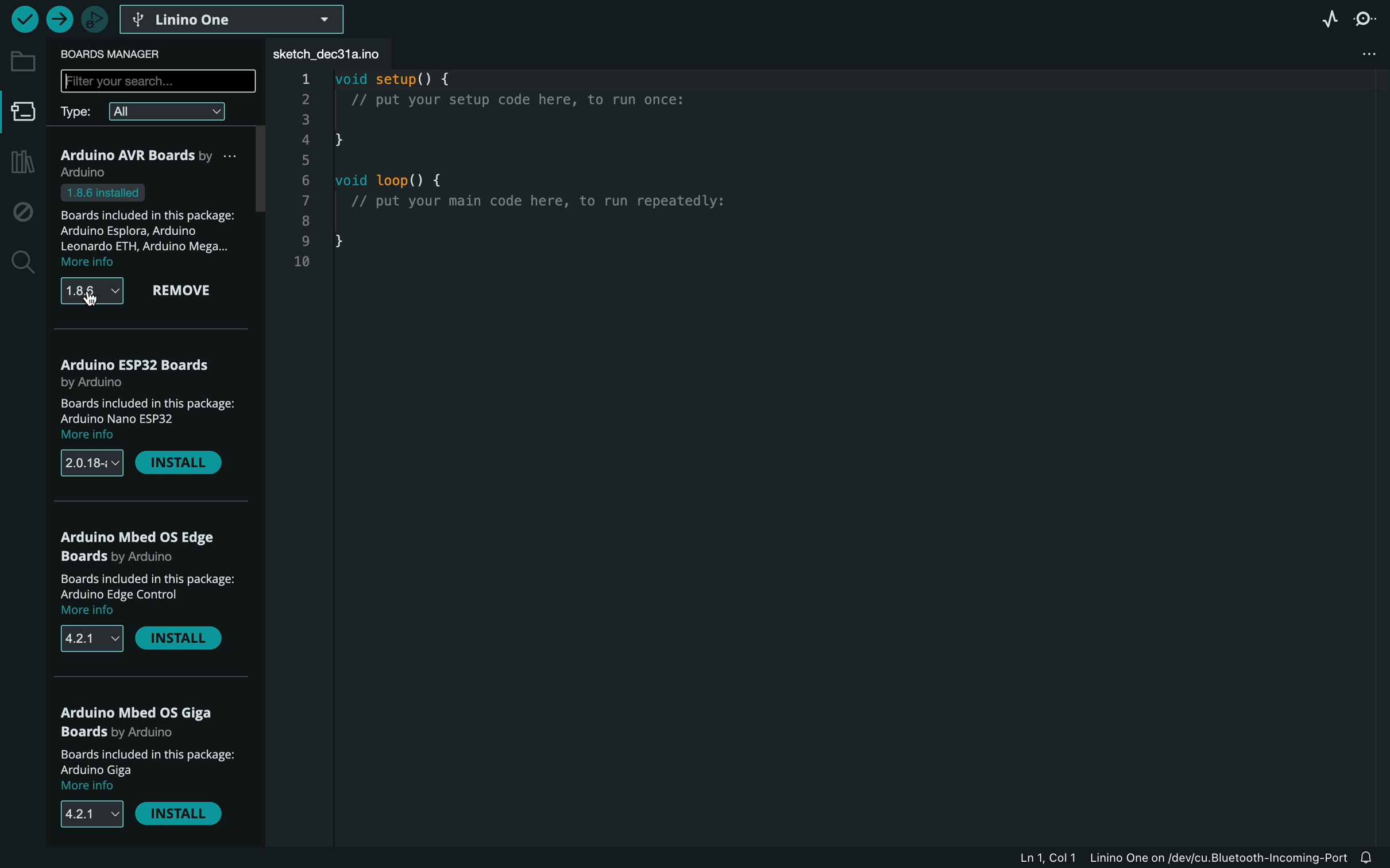 This screenshot has height=868, width=1390. What do you see at coordinates (1373, 55) in the screenshot?
I see `file setting` at bounding box center [1373, 55].